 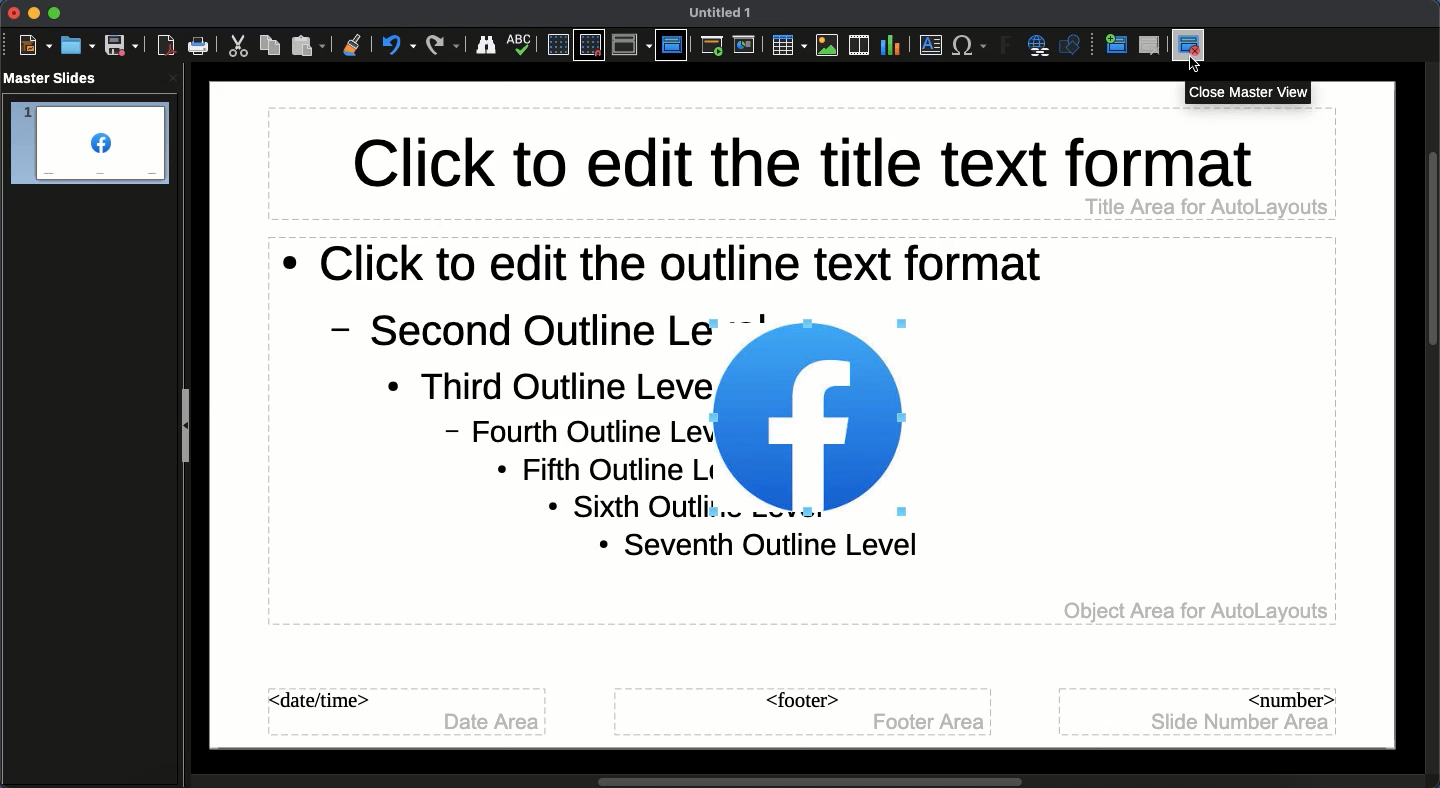 I want to click on Copy, so click(x=269, y=45).